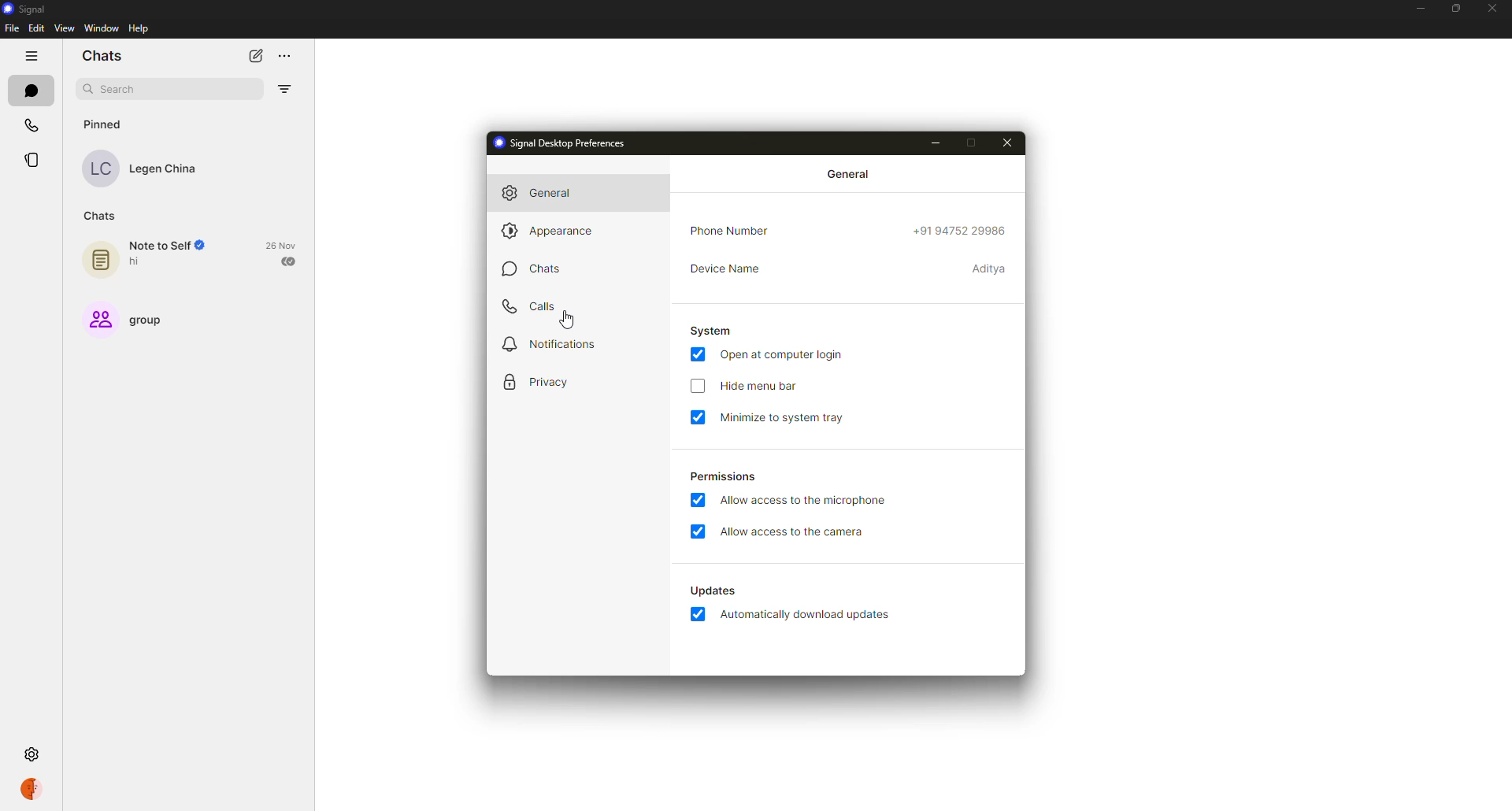  Describe the element at coordinates (154, 319) in the screenshot. I see `group` at that location.